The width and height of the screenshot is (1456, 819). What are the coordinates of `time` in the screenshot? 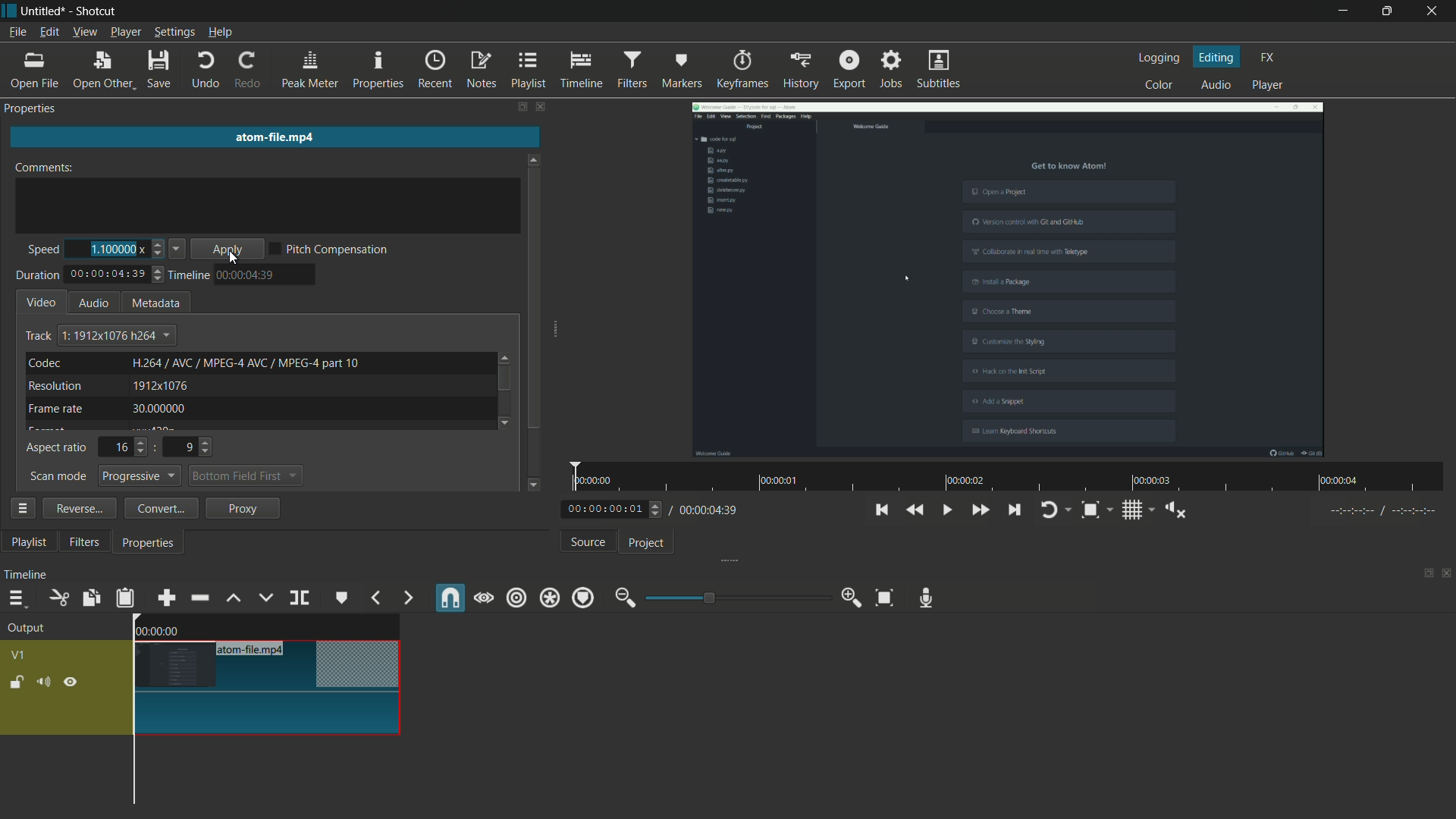 It's located at (159, 631).